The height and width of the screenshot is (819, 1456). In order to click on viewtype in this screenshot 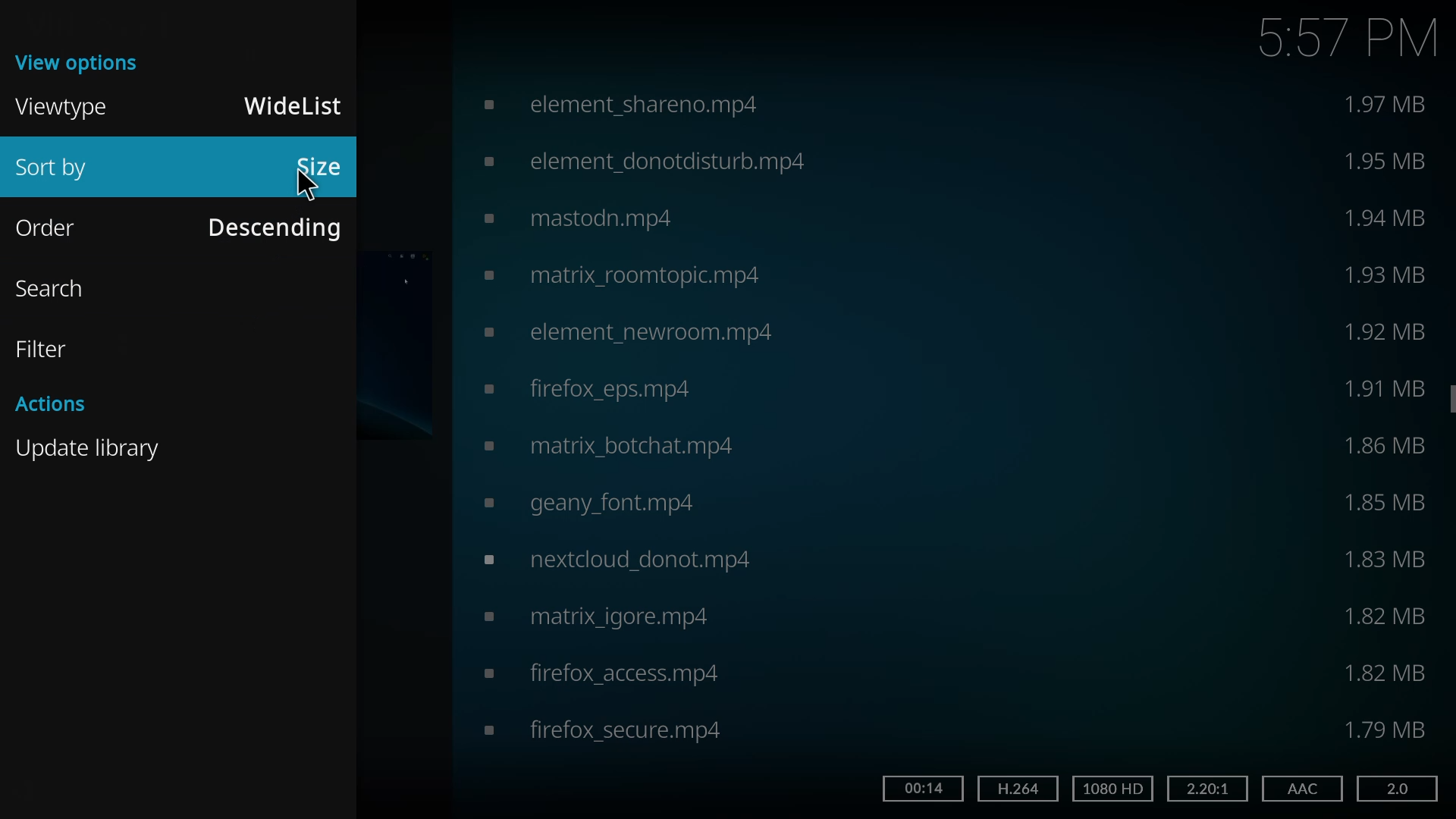, I will do `click(65, 106)`.